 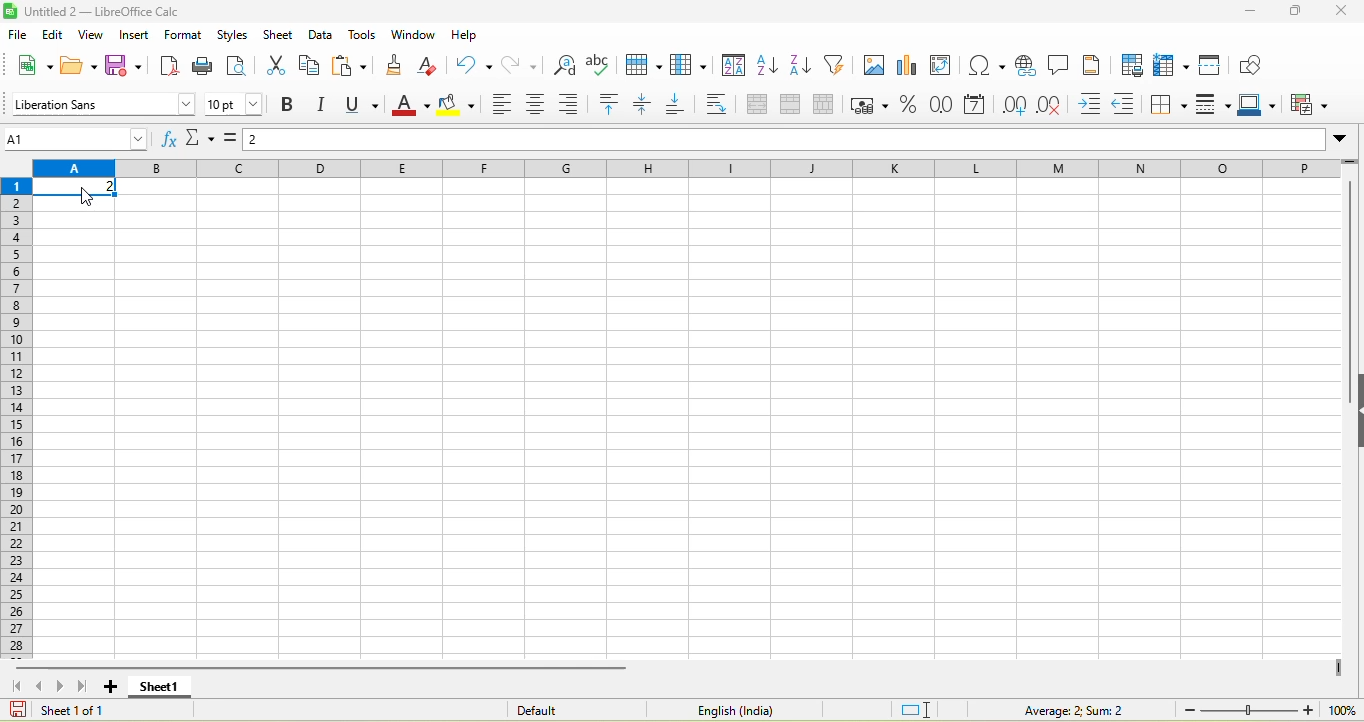 I want to click on pivot table, so click(x=944, y=67).